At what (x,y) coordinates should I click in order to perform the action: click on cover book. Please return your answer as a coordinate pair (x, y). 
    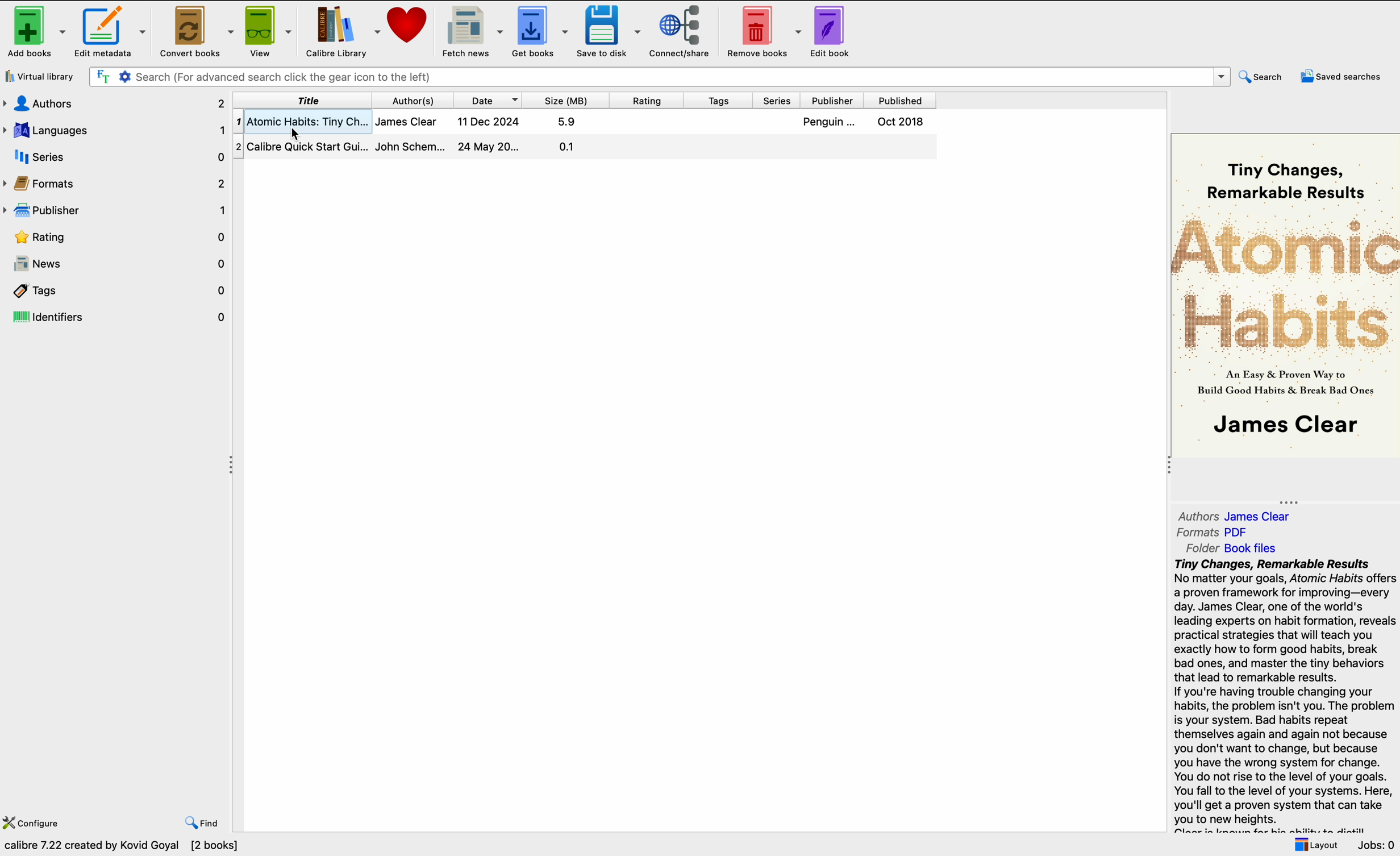
    Looking at the image, I should click on (1285, 293).